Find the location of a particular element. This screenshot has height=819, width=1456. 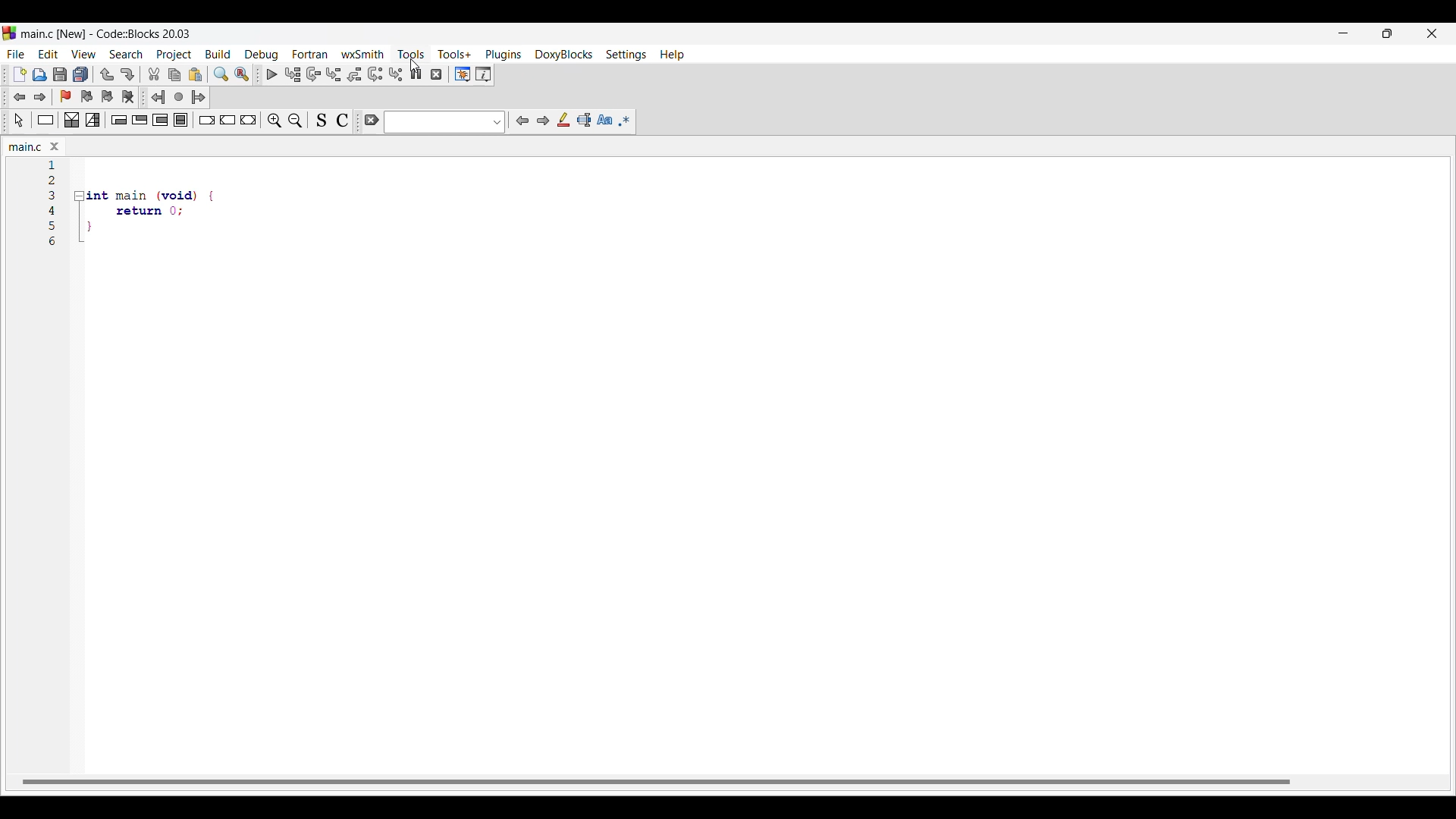

Select is located at coordinates (18, 121).